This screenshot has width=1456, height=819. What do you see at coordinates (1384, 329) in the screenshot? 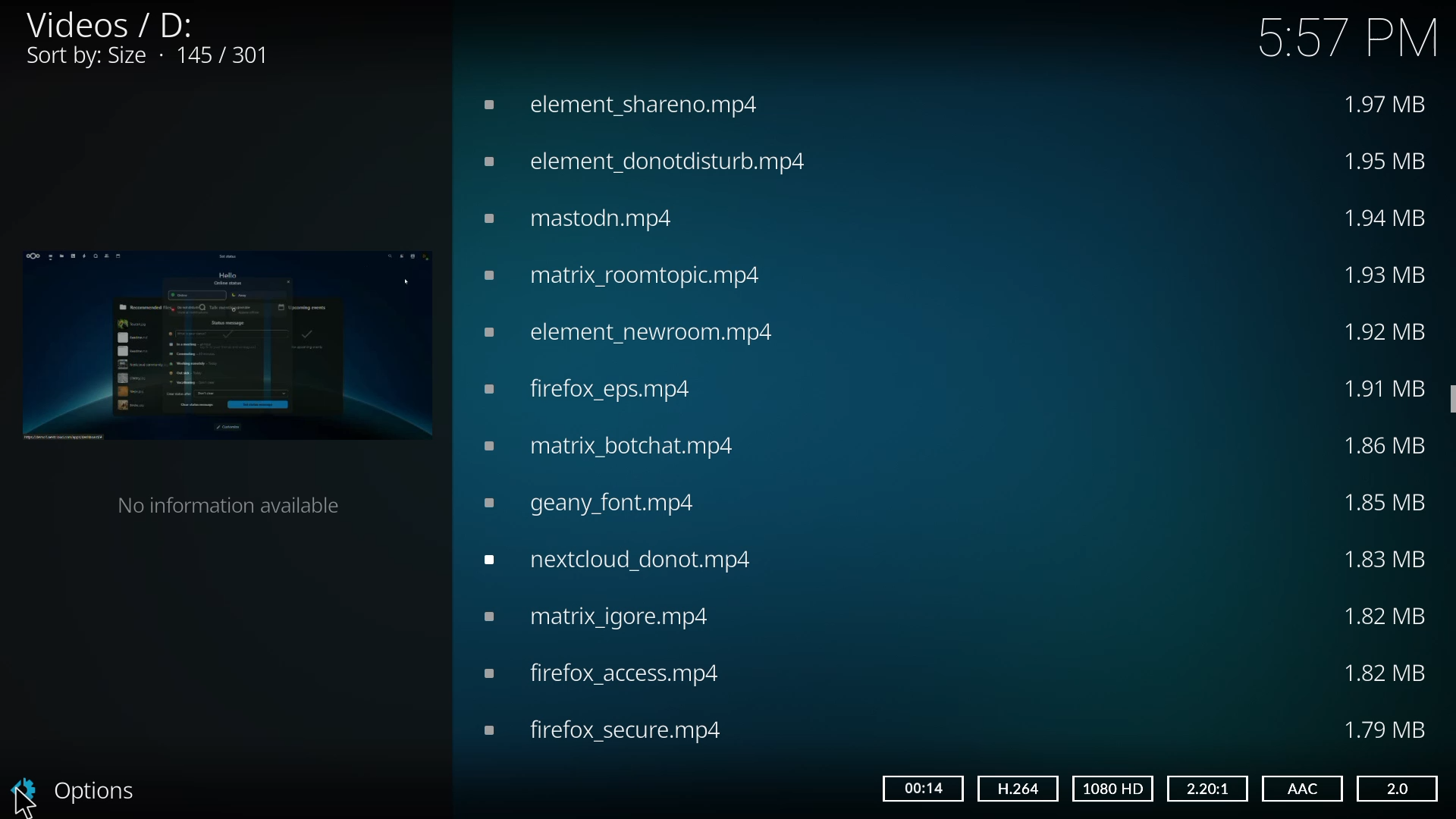
I see `size` at bounding box center [1384, 329].